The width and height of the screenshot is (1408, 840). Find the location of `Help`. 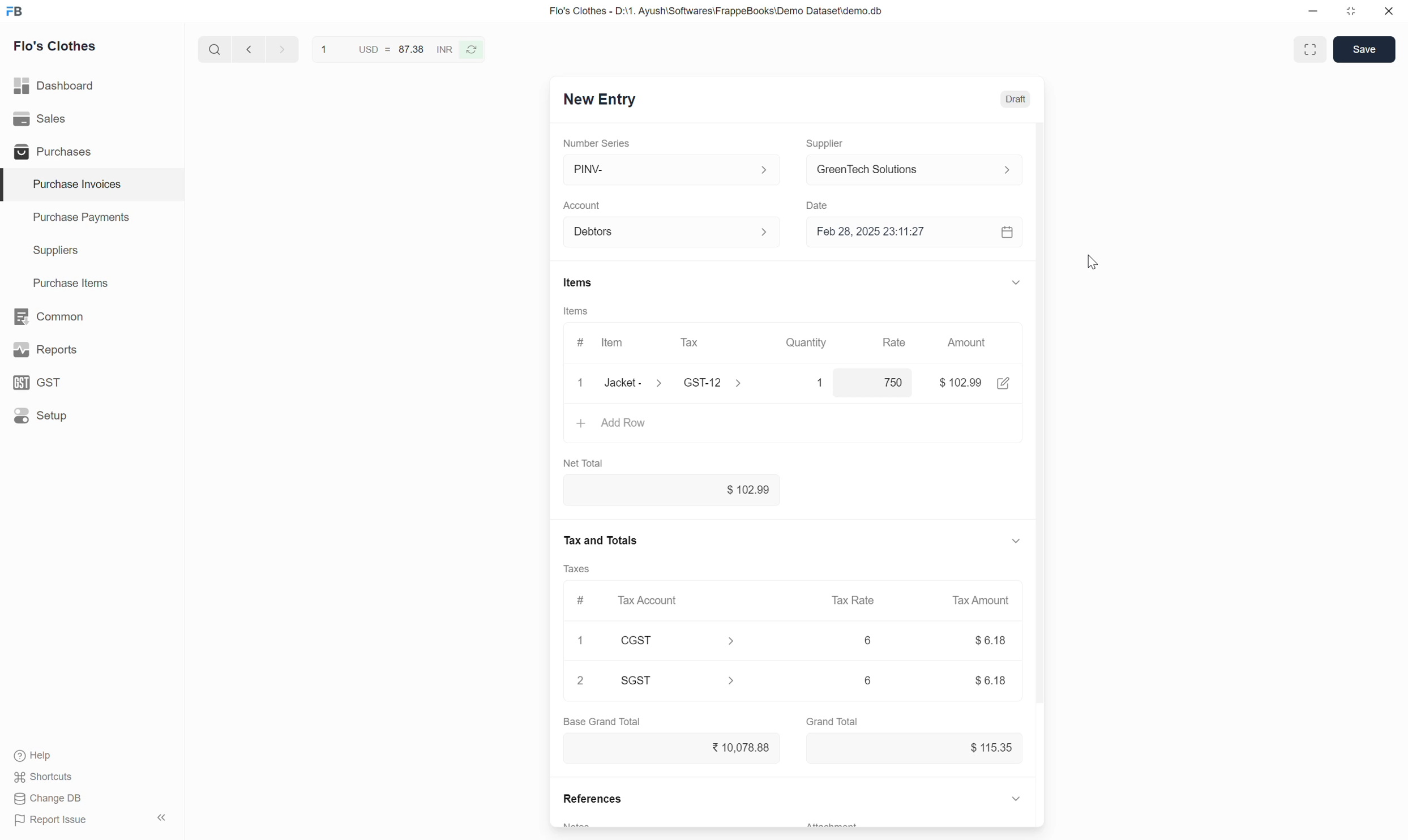

Help is located at coordinates (36, 756).